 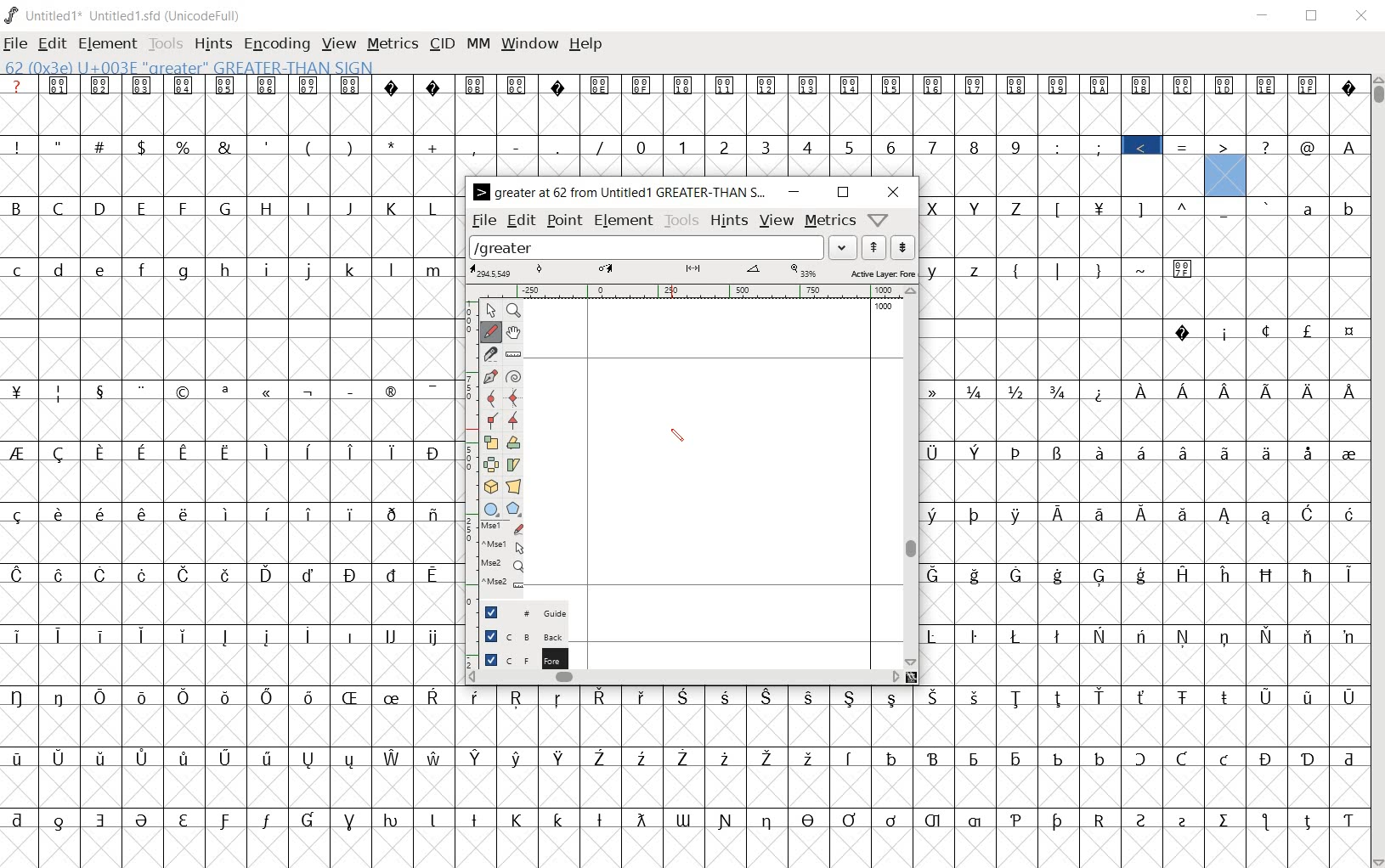 What do you see at coordinates (879, 219) in the screenshot?
I see `help/window` at bounding box center [879, 219].